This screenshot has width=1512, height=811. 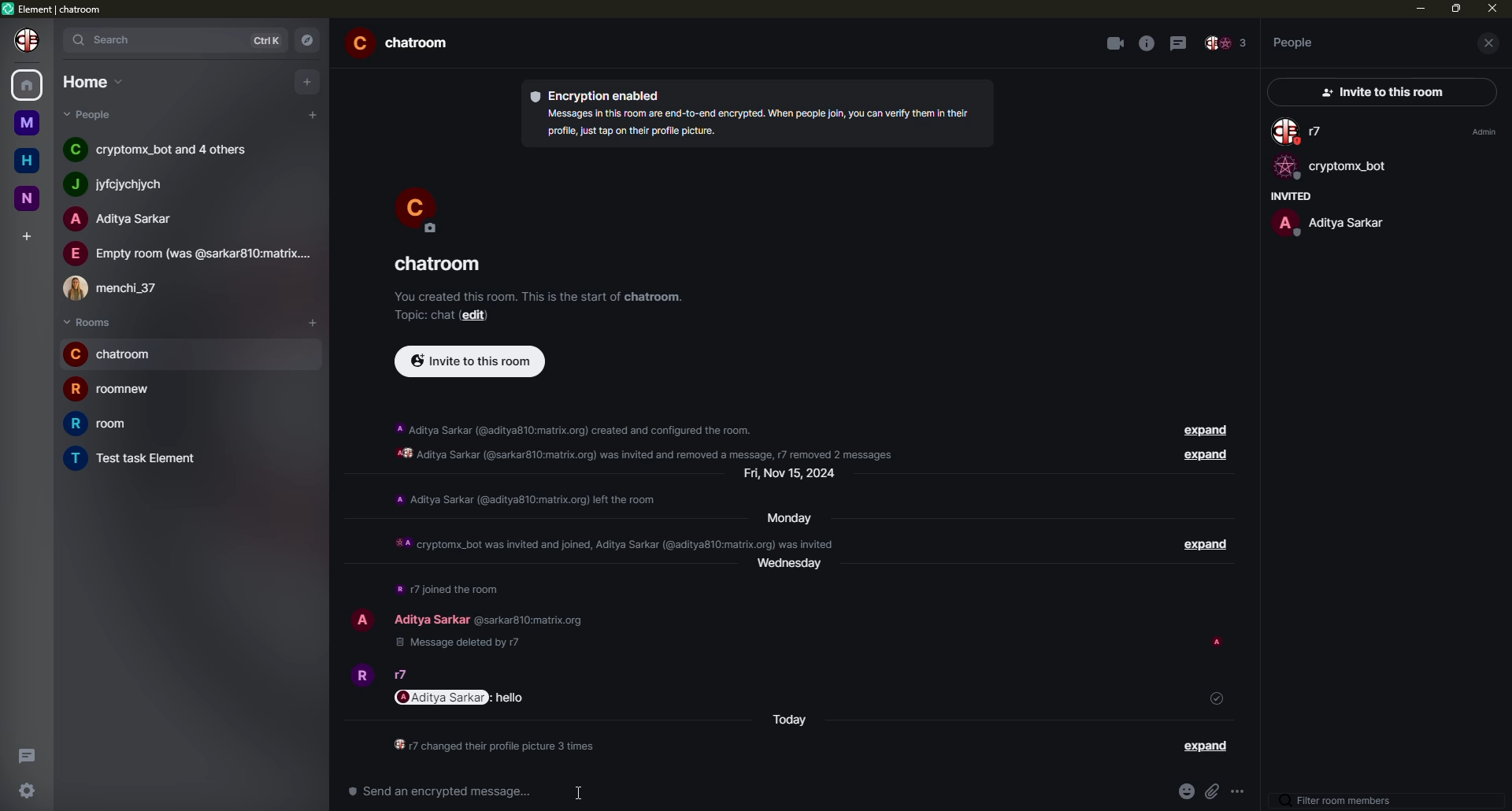 What do you see at coordinates (791, 721) in the screenshot?
I see `day` at bounding box center [791, 721].